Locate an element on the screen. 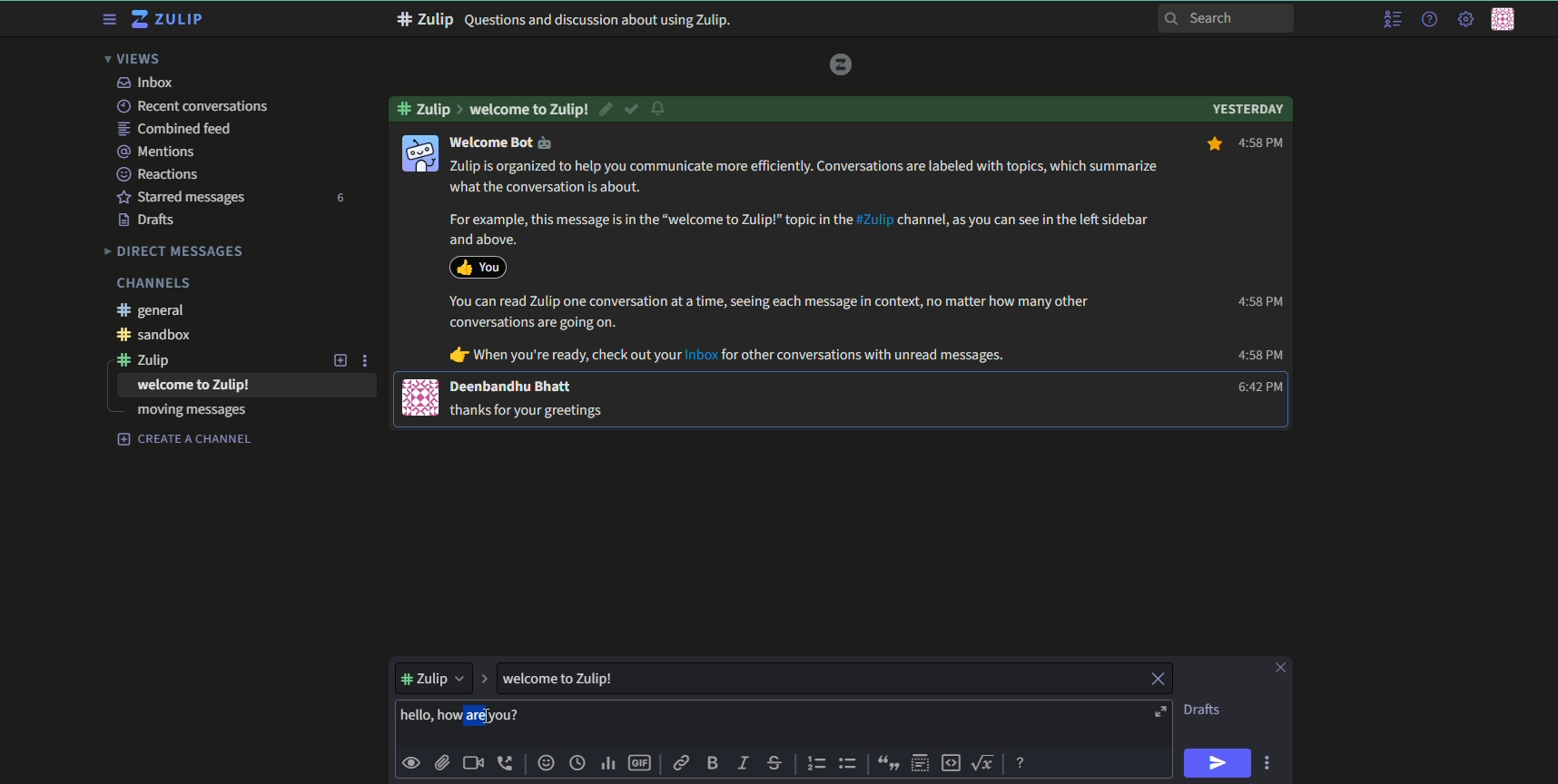 The height and width of the screenshot is (784, 1558).  is located at coordinates (431, 126).